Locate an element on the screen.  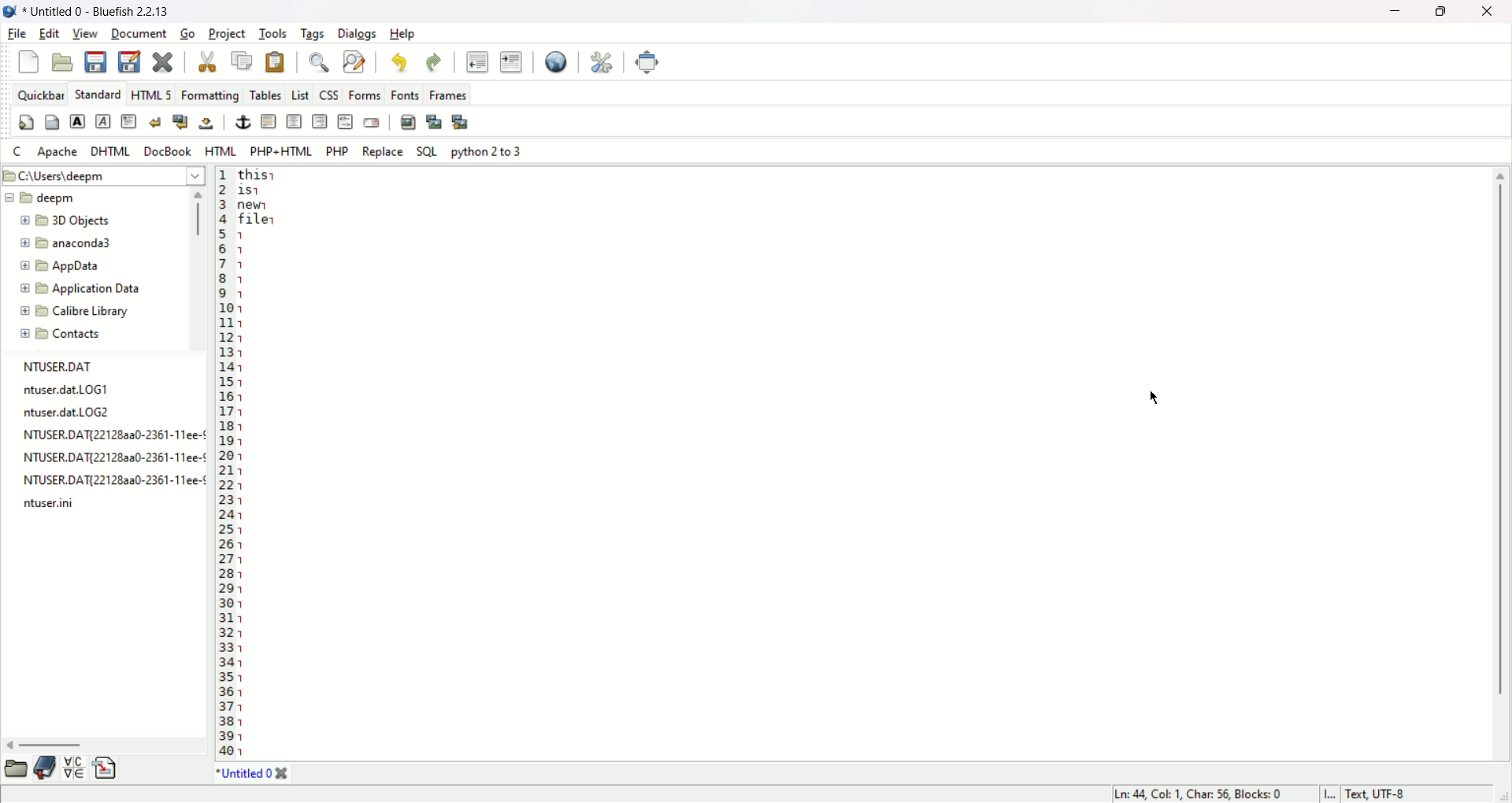
C:\Users/Deepm is located at coordinates (101, 174).